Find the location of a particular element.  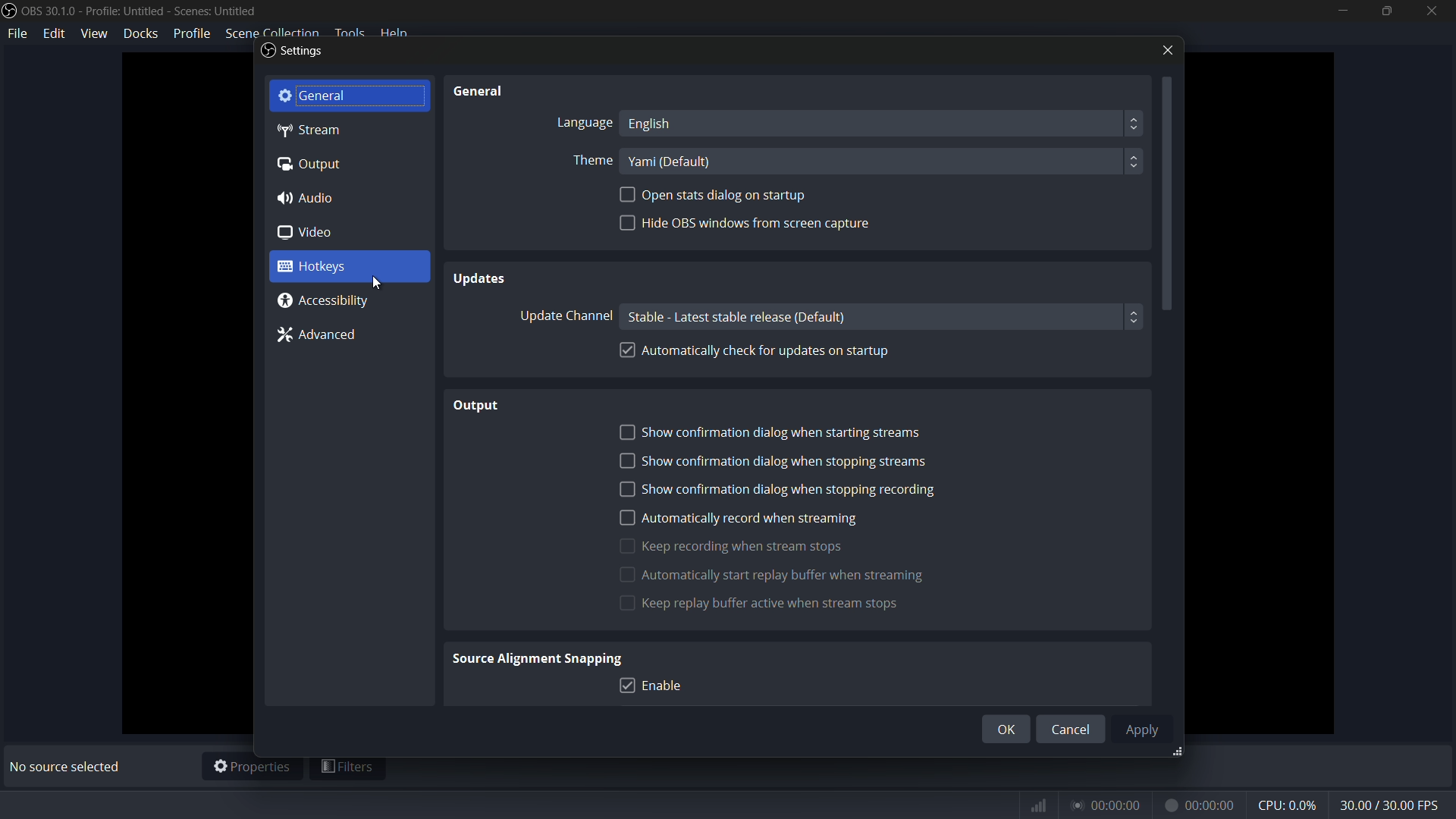

general is located at coordinates (312, 95).